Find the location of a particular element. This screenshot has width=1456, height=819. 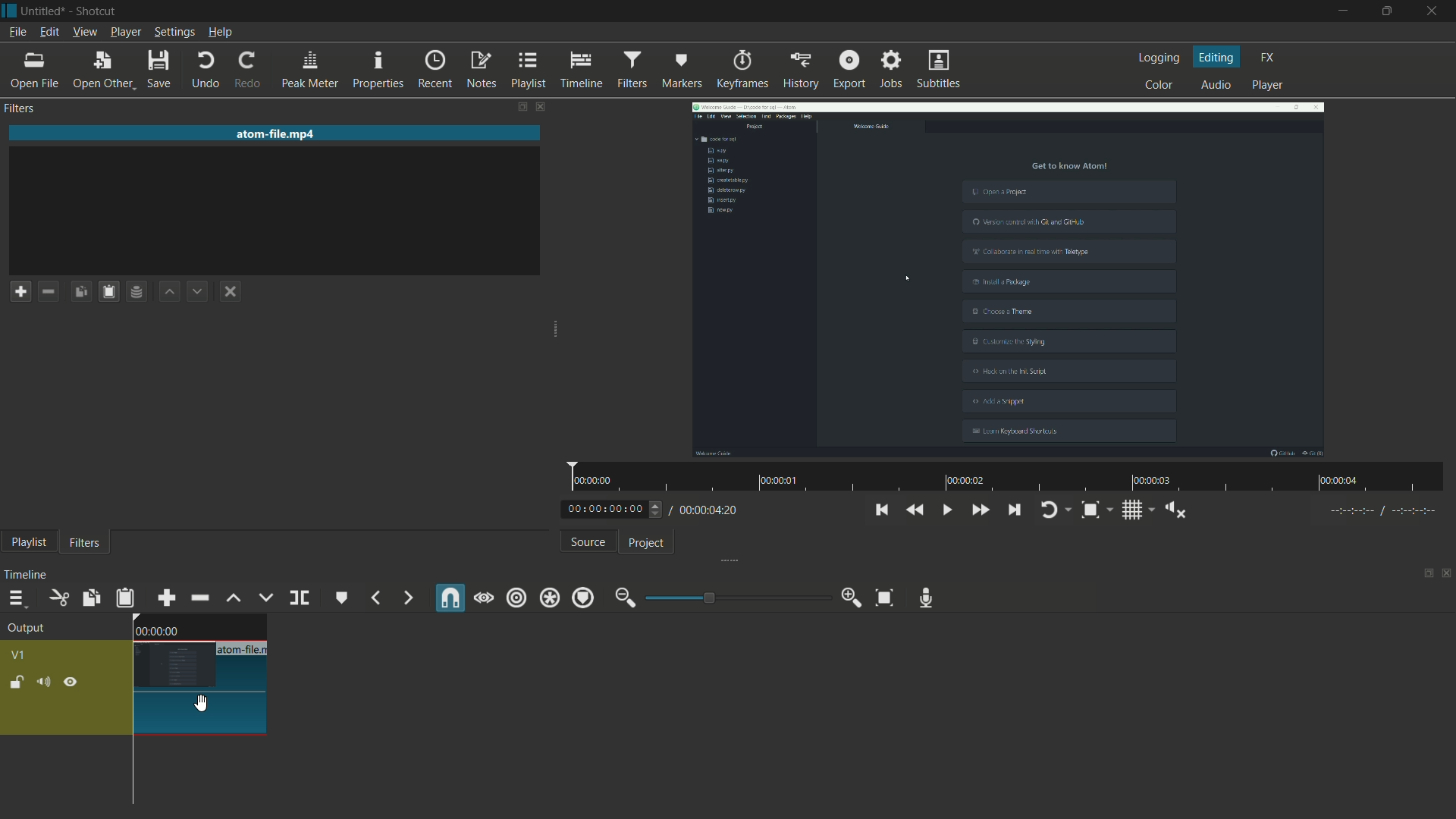

output is located at coordinates (25, 628).